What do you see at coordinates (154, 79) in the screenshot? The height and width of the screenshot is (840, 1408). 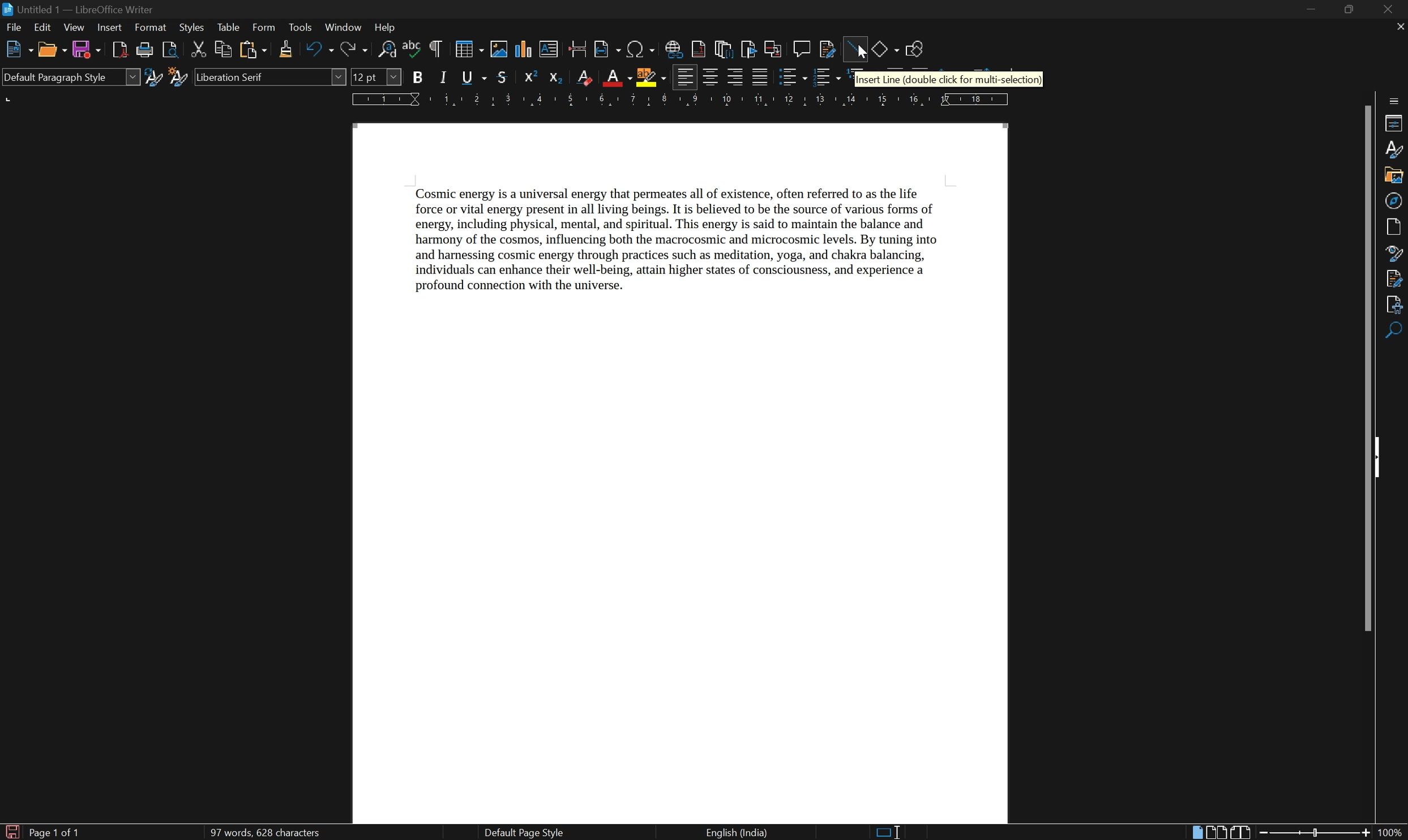 I see `update selected style` at bounding box center [154, 79].